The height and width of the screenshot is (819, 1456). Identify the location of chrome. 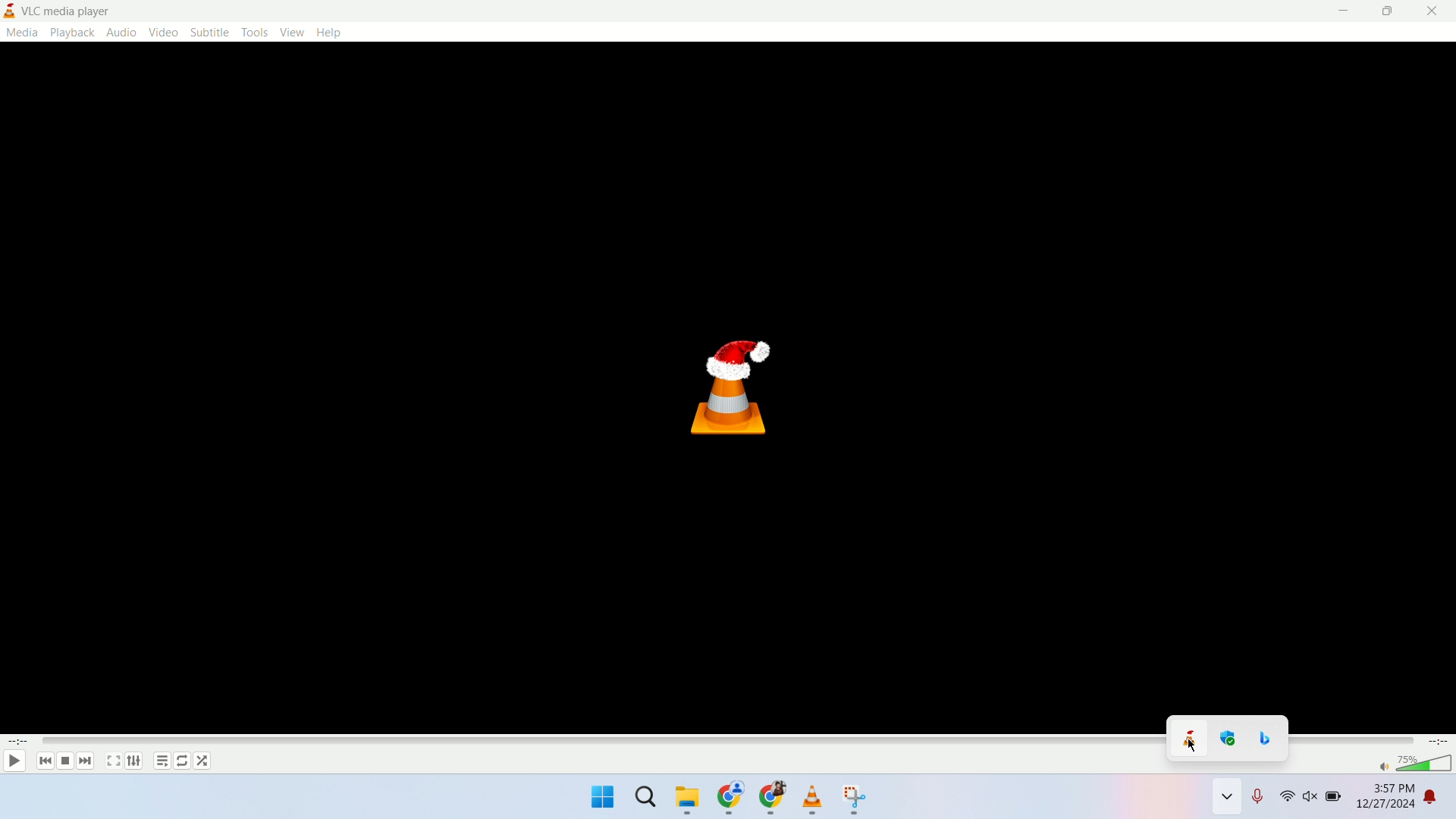
(771, 801).